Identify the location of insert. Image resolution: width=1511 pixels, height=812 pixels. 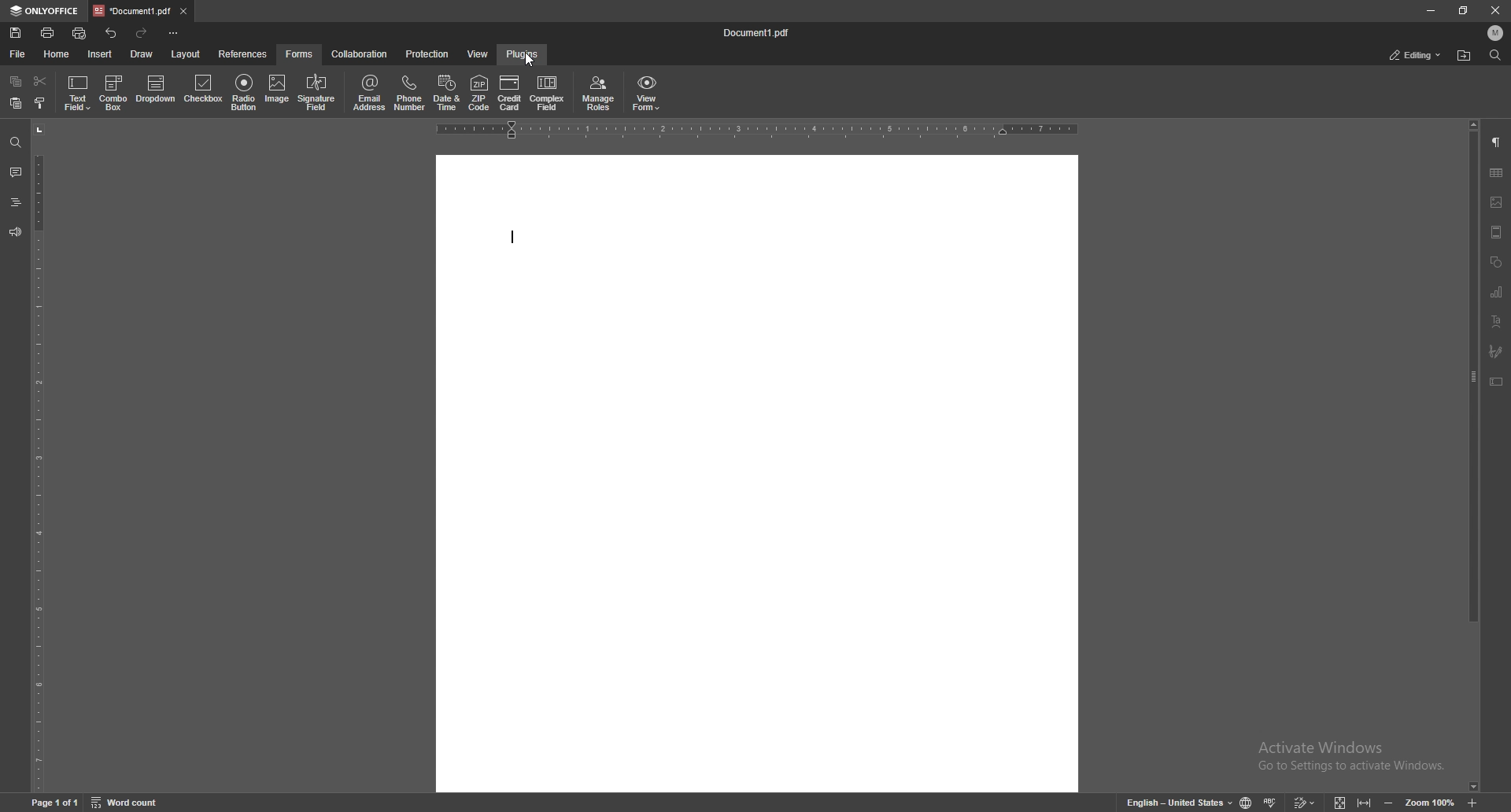
(100, 54).